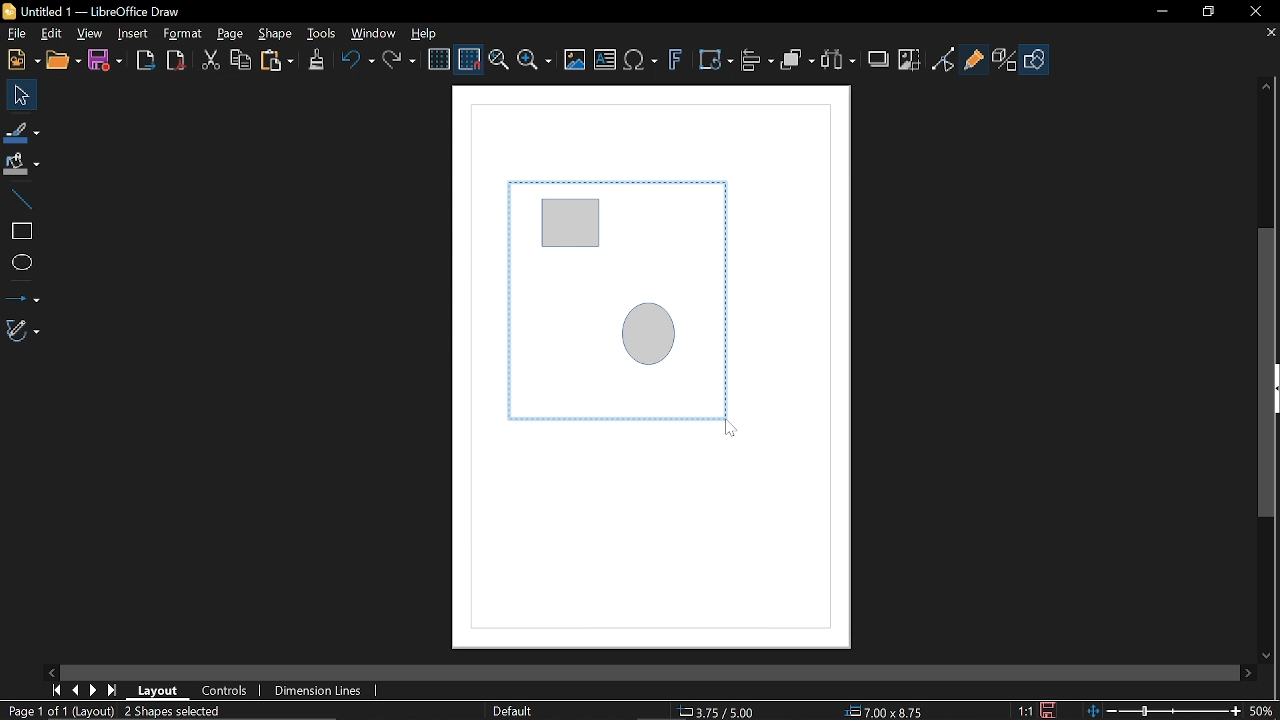 This screenshot has width=1280, height=720. I want to click on Close, so click(1258, 11).